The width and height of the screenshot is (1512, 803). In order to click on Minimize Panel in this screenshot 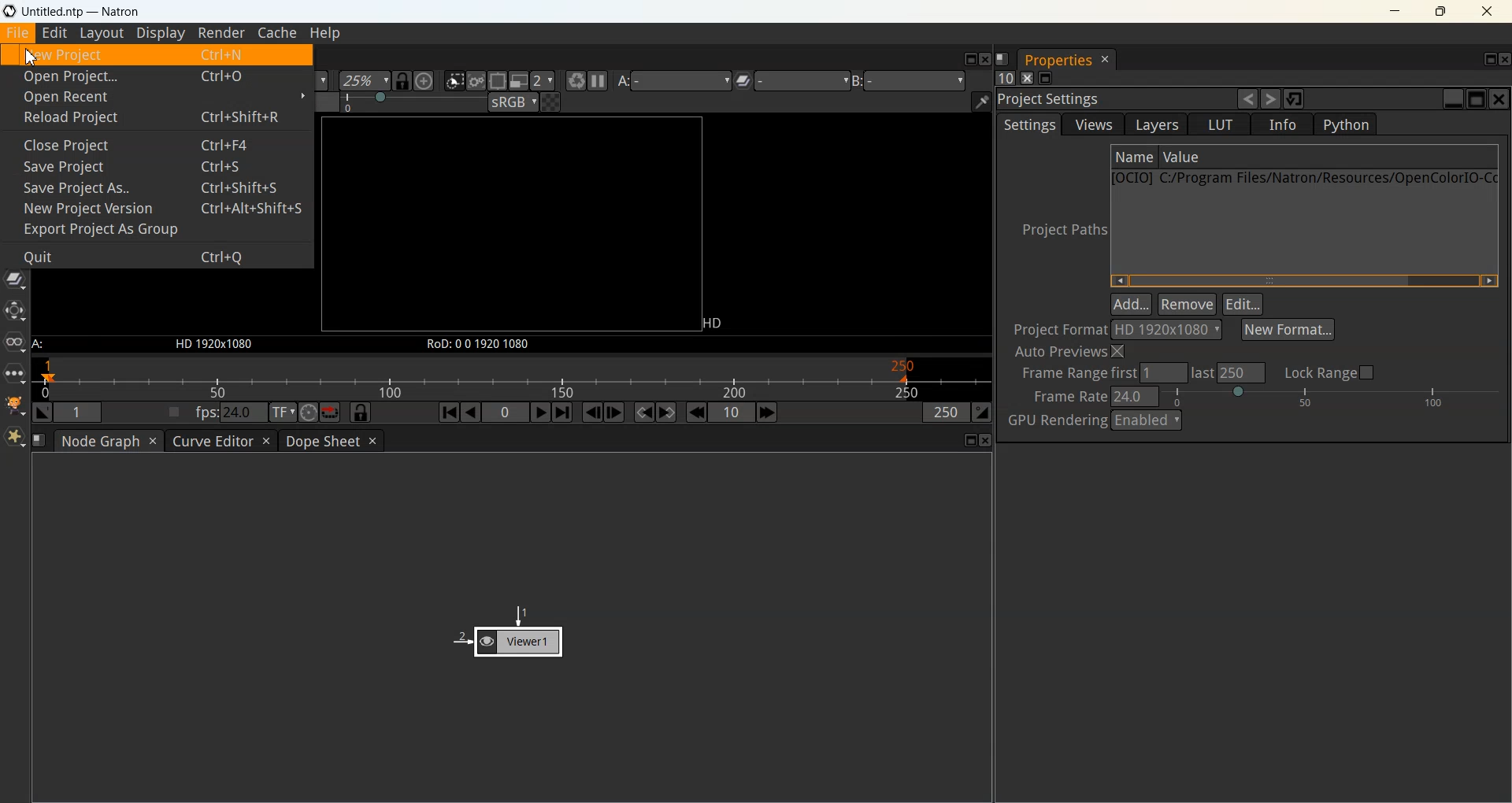, I will do `click(1046, 78)`.